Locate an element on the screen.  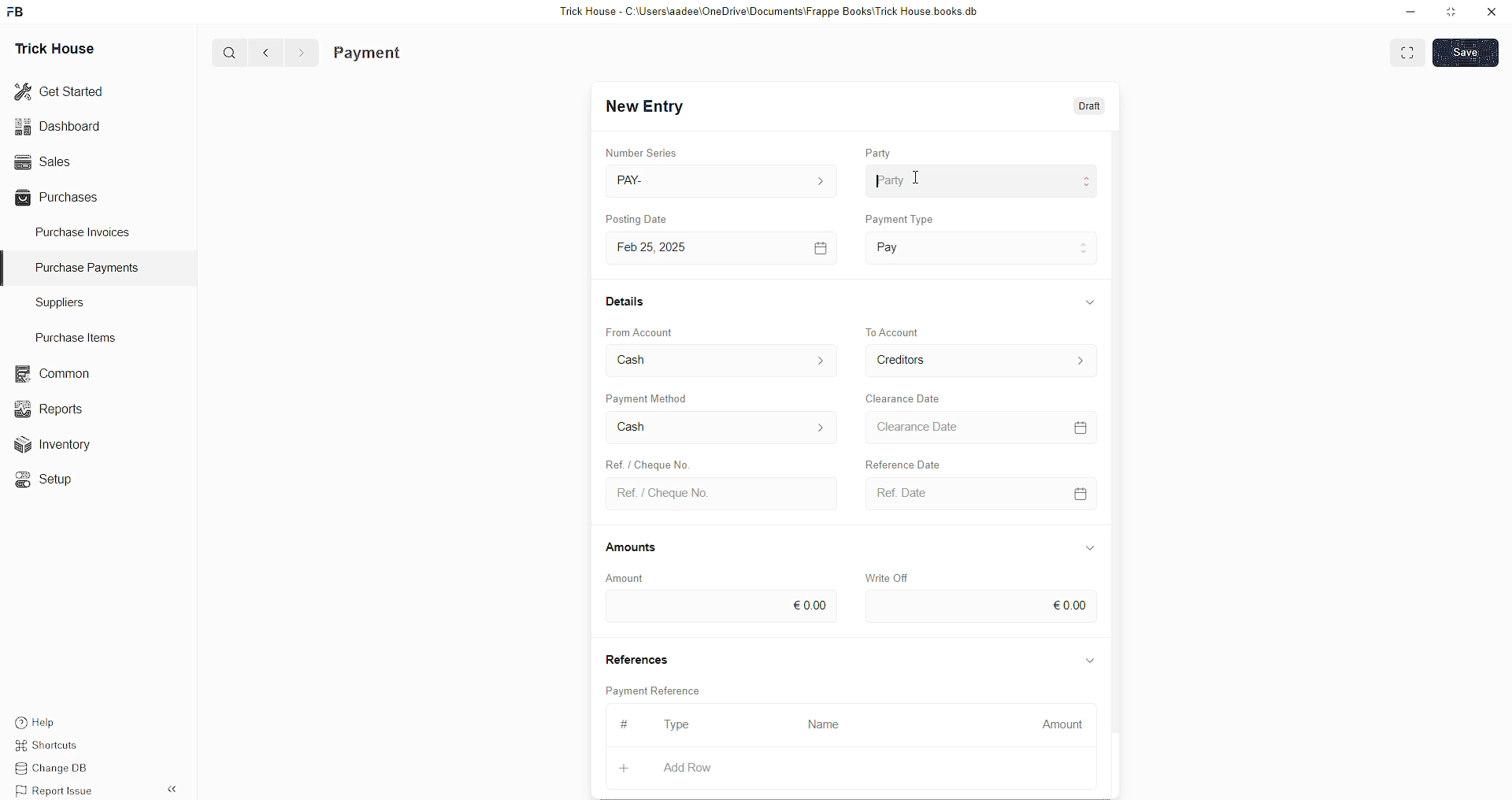
Amounts is located at coordinates (638, 548).